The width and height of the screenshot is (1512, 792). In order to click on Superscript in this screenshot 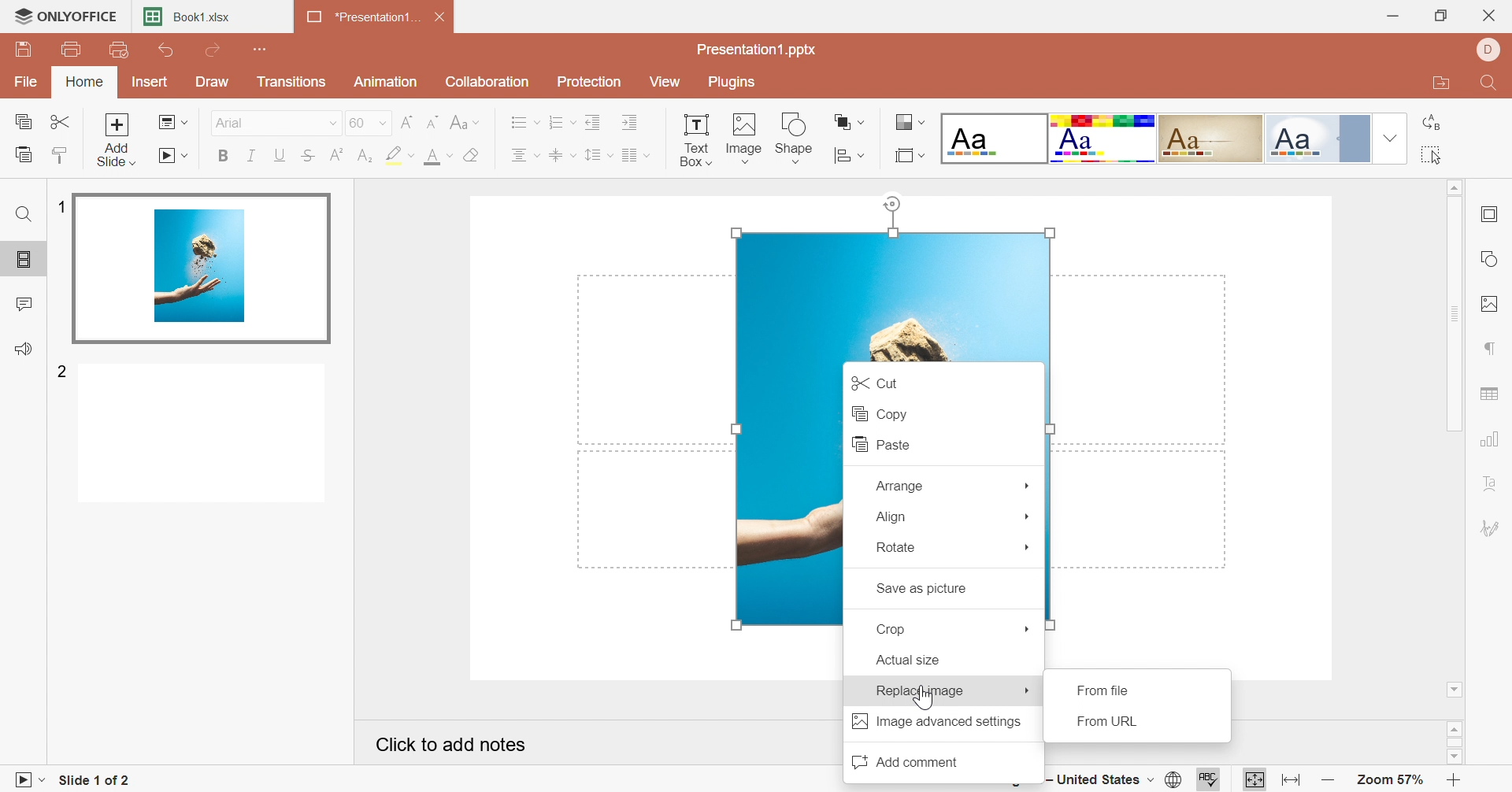, I will do `click(335, 153)`.